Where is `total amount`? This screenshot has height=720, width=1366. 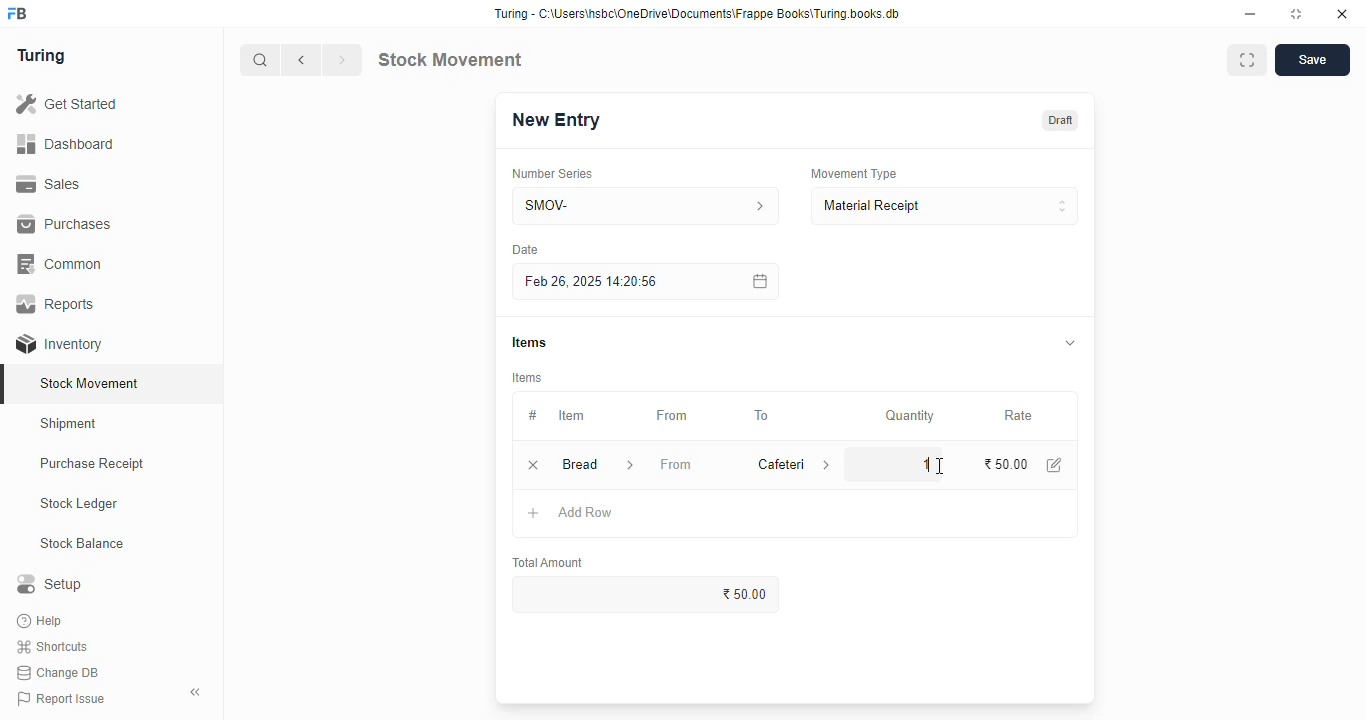 total amount is located at coordinates (549, 563).